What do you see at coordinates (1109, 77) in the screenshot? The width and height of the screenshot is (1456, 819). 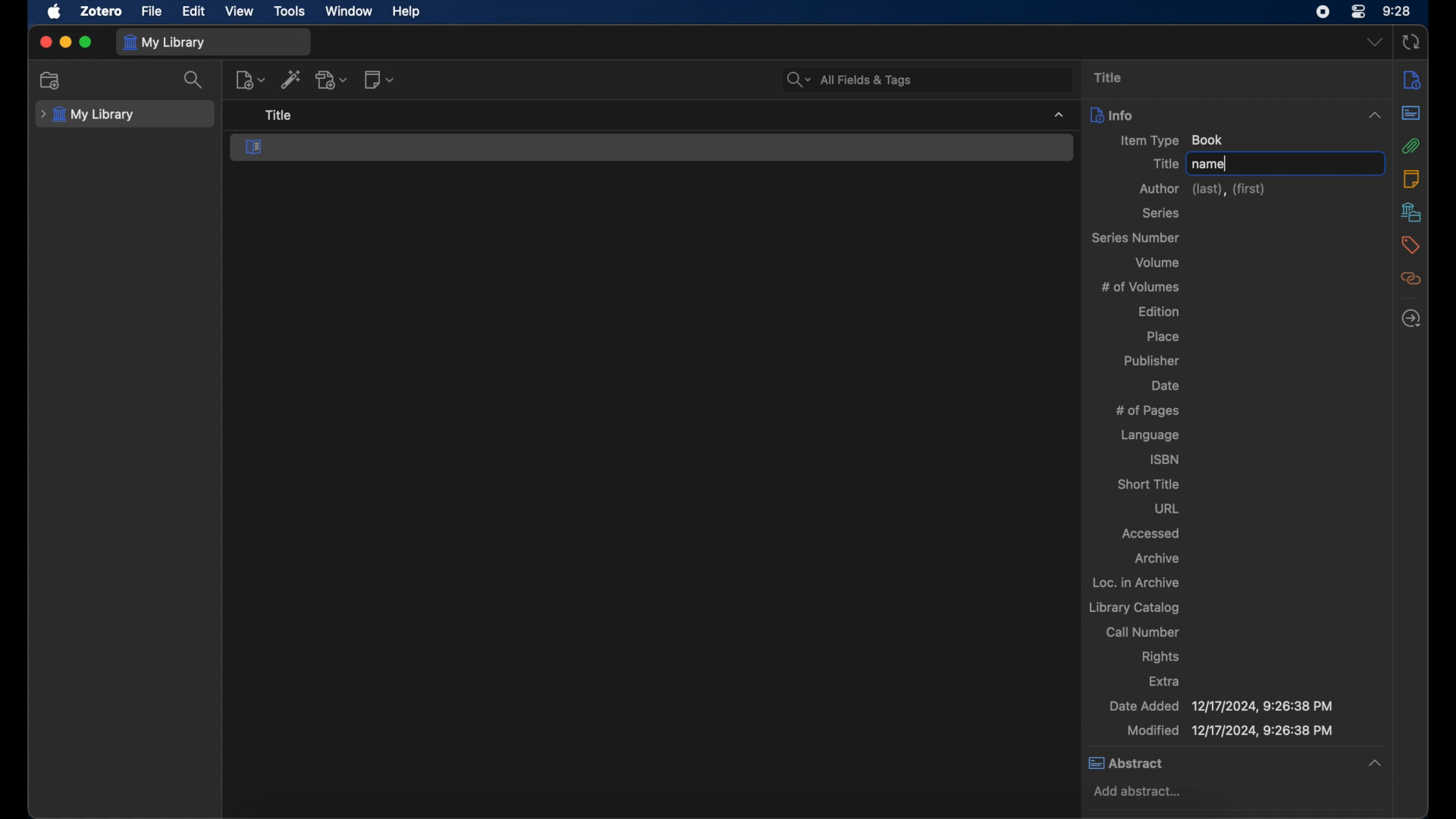 I see `title` at bounding box center [1109, 77].